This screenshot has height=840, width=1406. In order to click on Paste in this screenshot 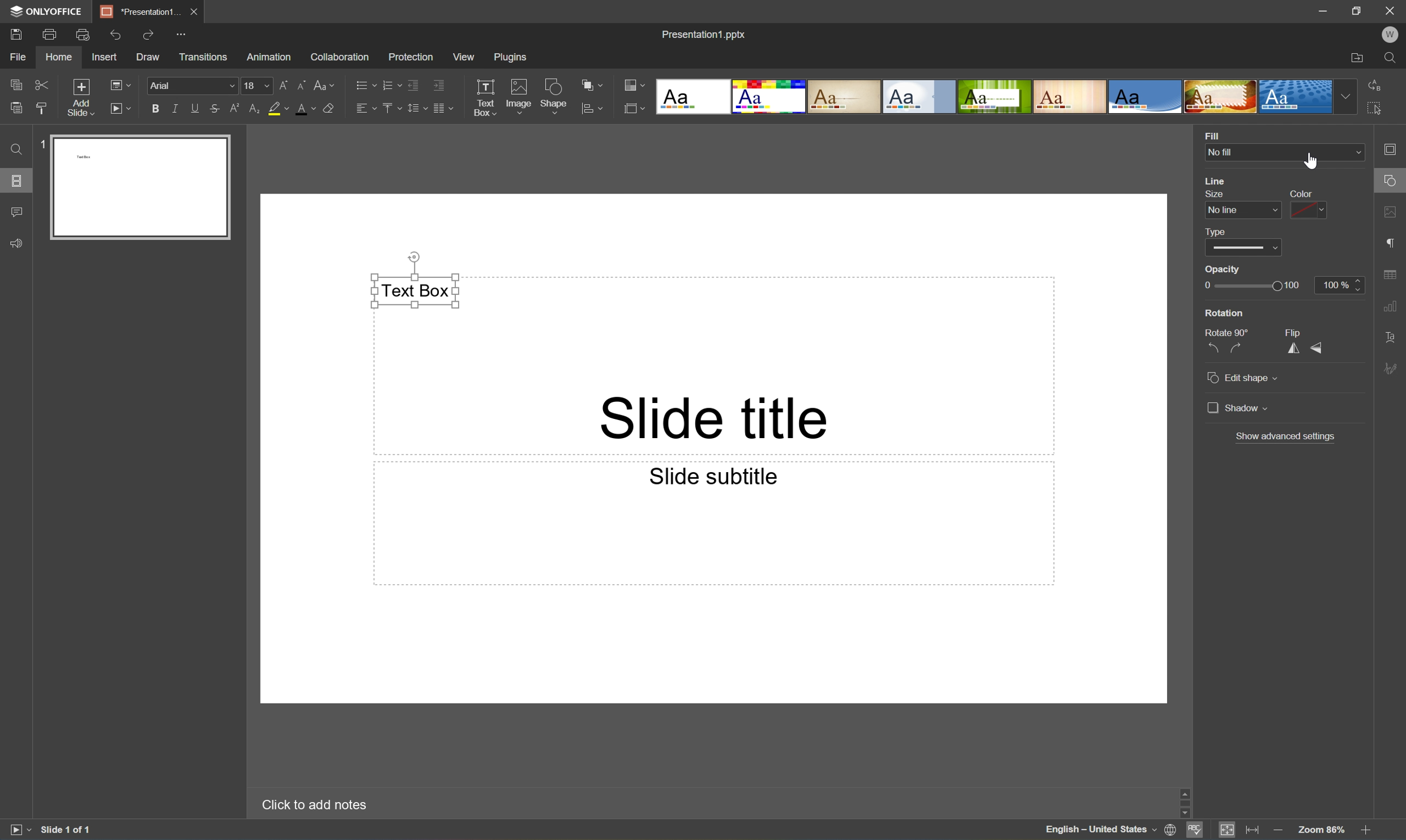, I will do `click(13, 108)`.